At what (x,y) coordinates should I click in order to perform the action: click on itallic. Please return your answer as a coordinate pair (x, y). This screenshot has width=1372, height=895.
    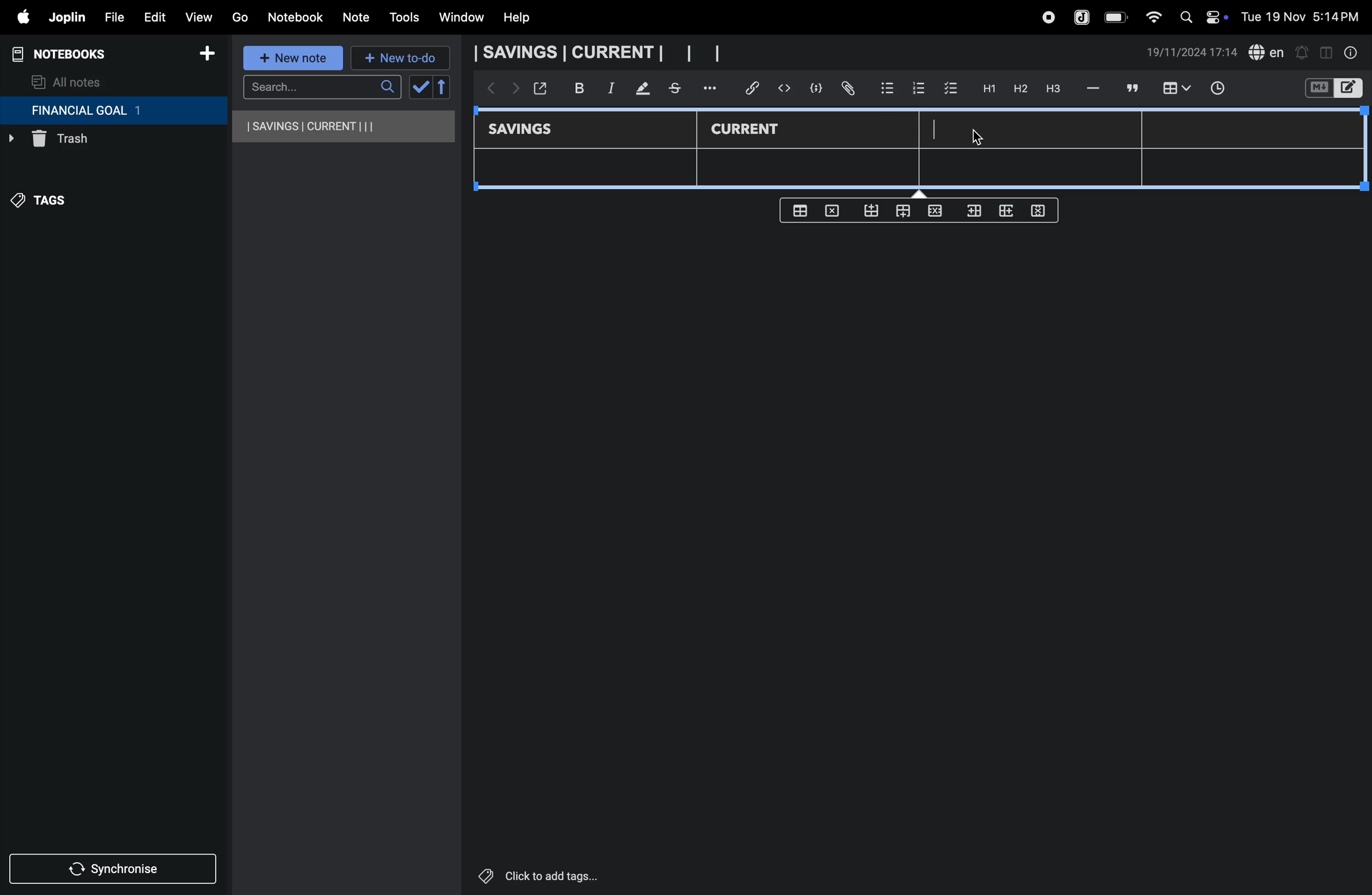
    Looking at the image, I should click on (609, 88).